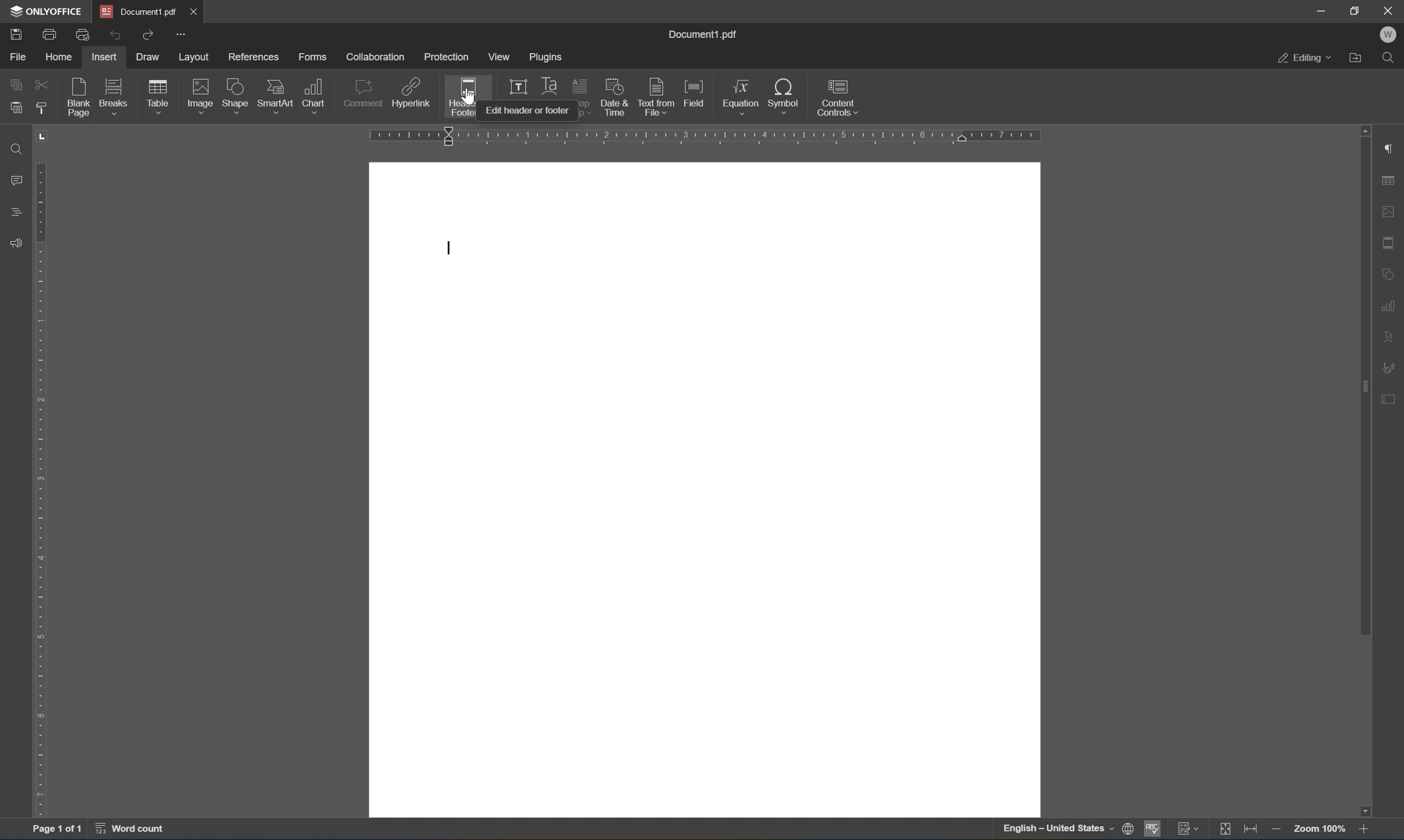 The height and width of the screenshot is (840, 1404). I want to click on smart art, so click(275, 95).